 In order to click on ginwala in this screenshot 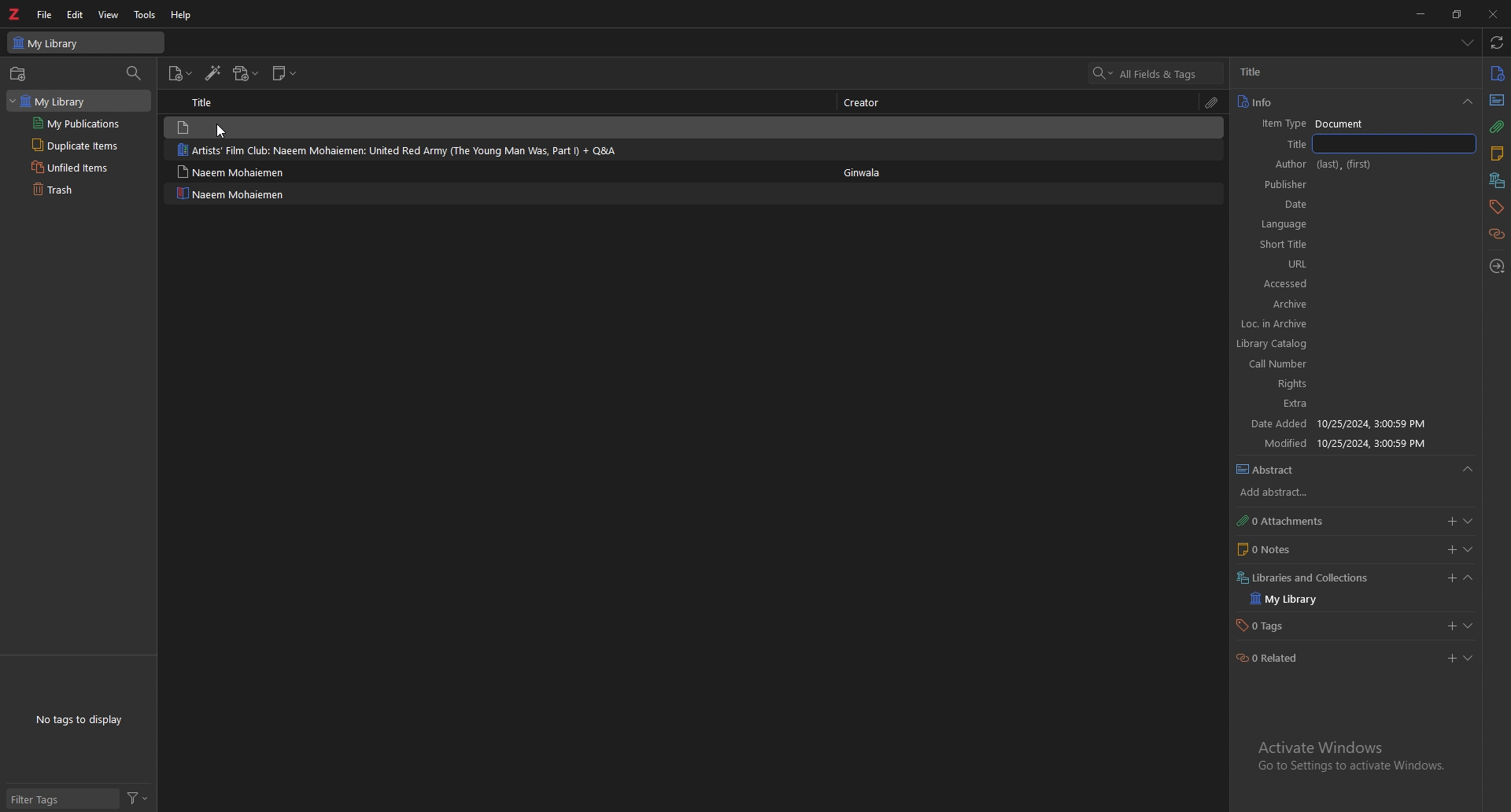, I will do `click(863, 174)`.